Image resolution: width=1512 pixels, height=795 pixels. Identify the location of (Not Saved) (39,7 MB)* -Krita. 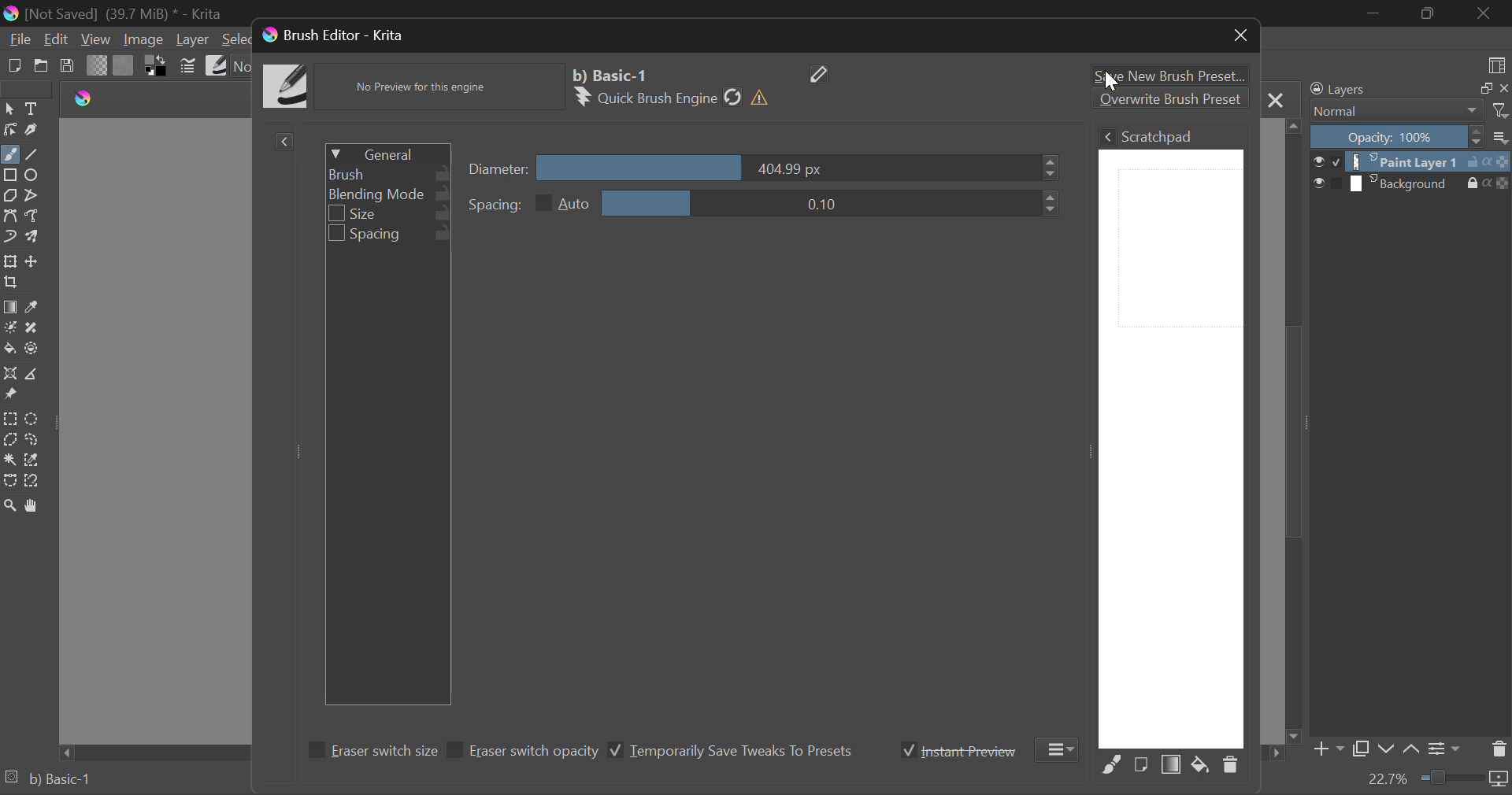
(113, 13).